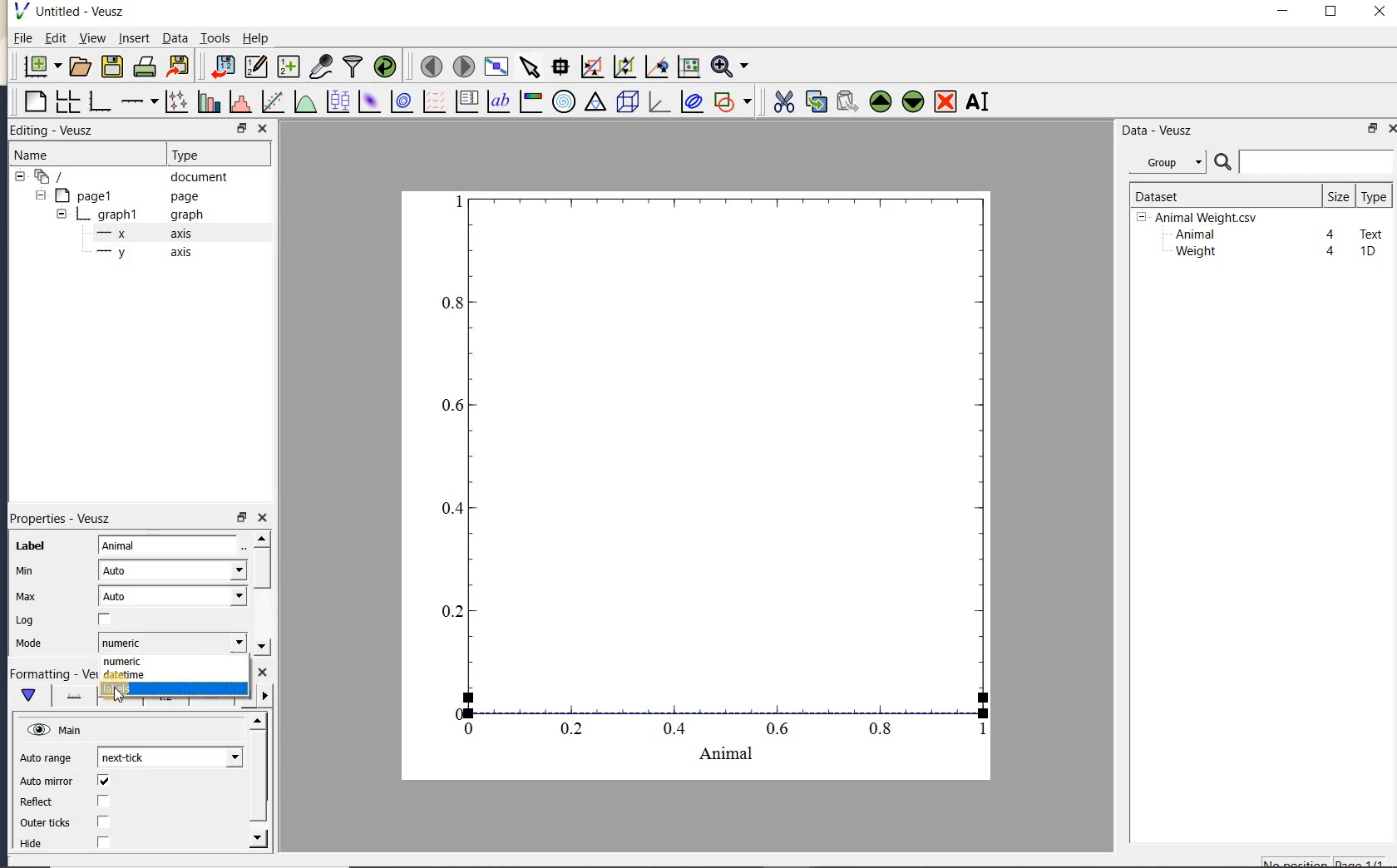  What do you see at coordinates (173, 596) in the screenshot?
I see `Auto` at bounding box center [173, 596].